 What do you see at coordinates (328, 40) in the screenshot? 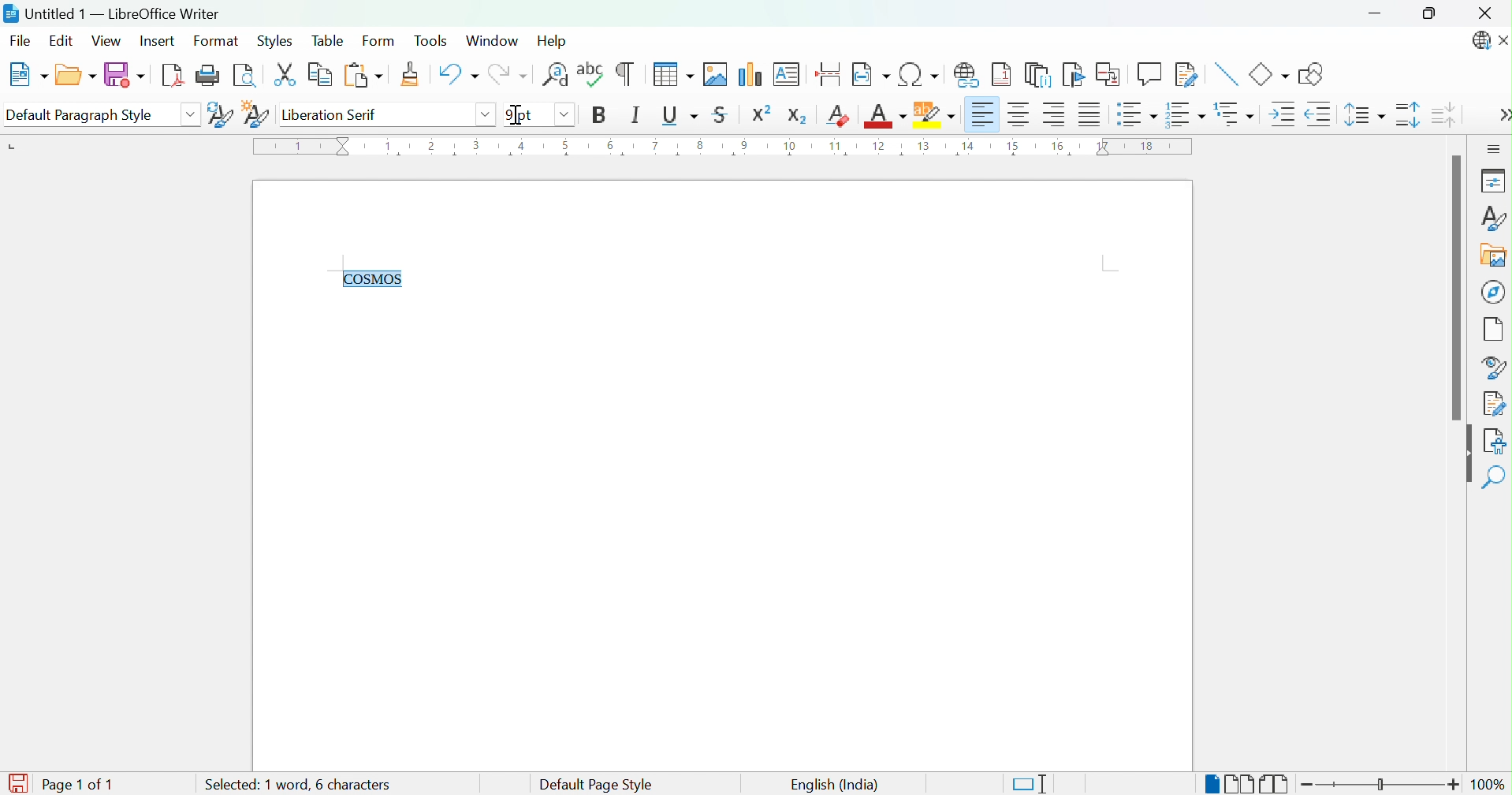
I see `Table` at bounding box center [328, 40].